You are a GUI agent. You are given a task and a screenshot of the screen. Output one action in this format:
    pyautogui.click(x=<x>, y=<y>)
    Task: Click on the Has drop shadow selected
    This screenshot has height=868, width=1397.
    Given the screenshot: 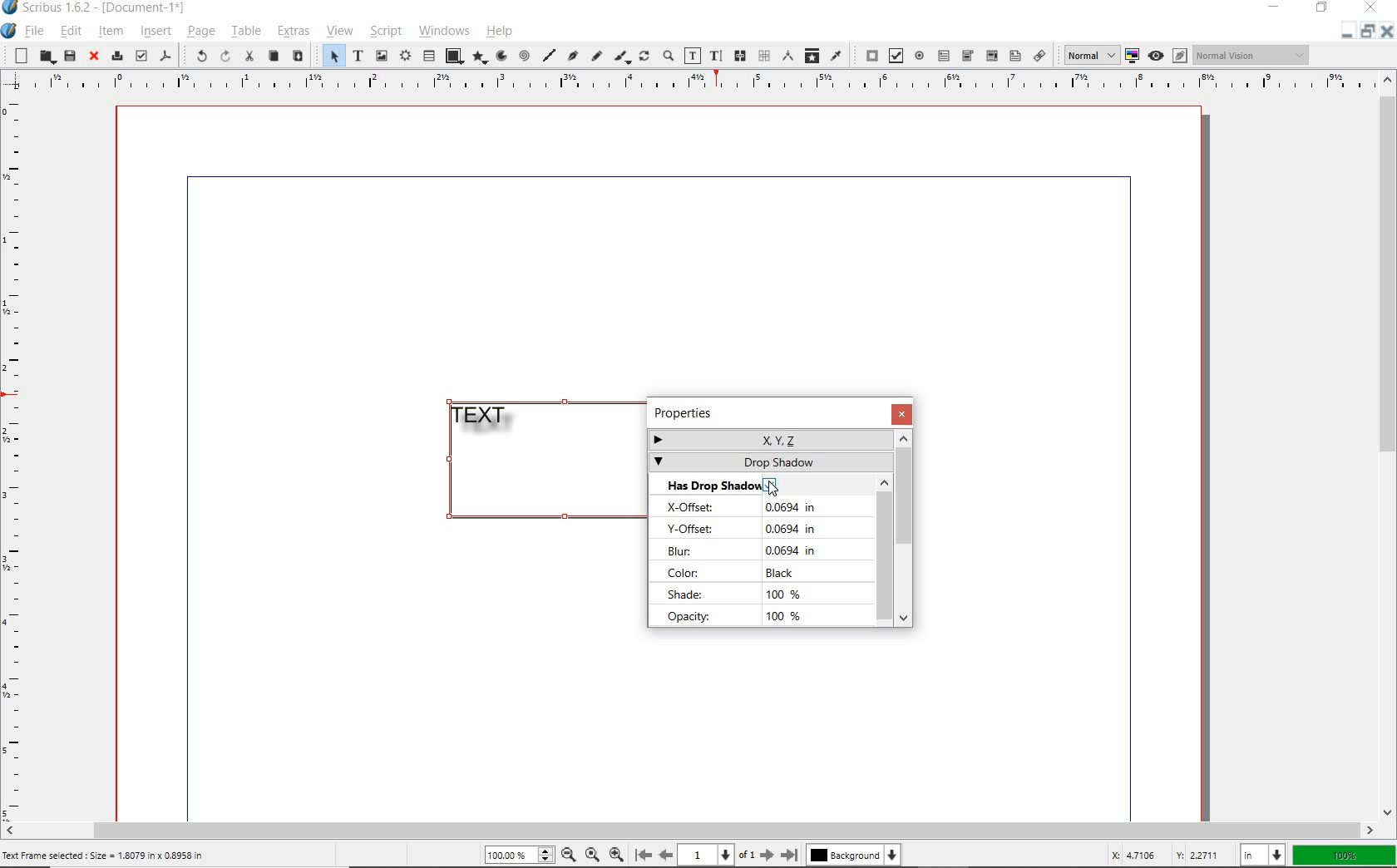 What is the action you would take?
    pyautogui.click(x=739, y=483)
    